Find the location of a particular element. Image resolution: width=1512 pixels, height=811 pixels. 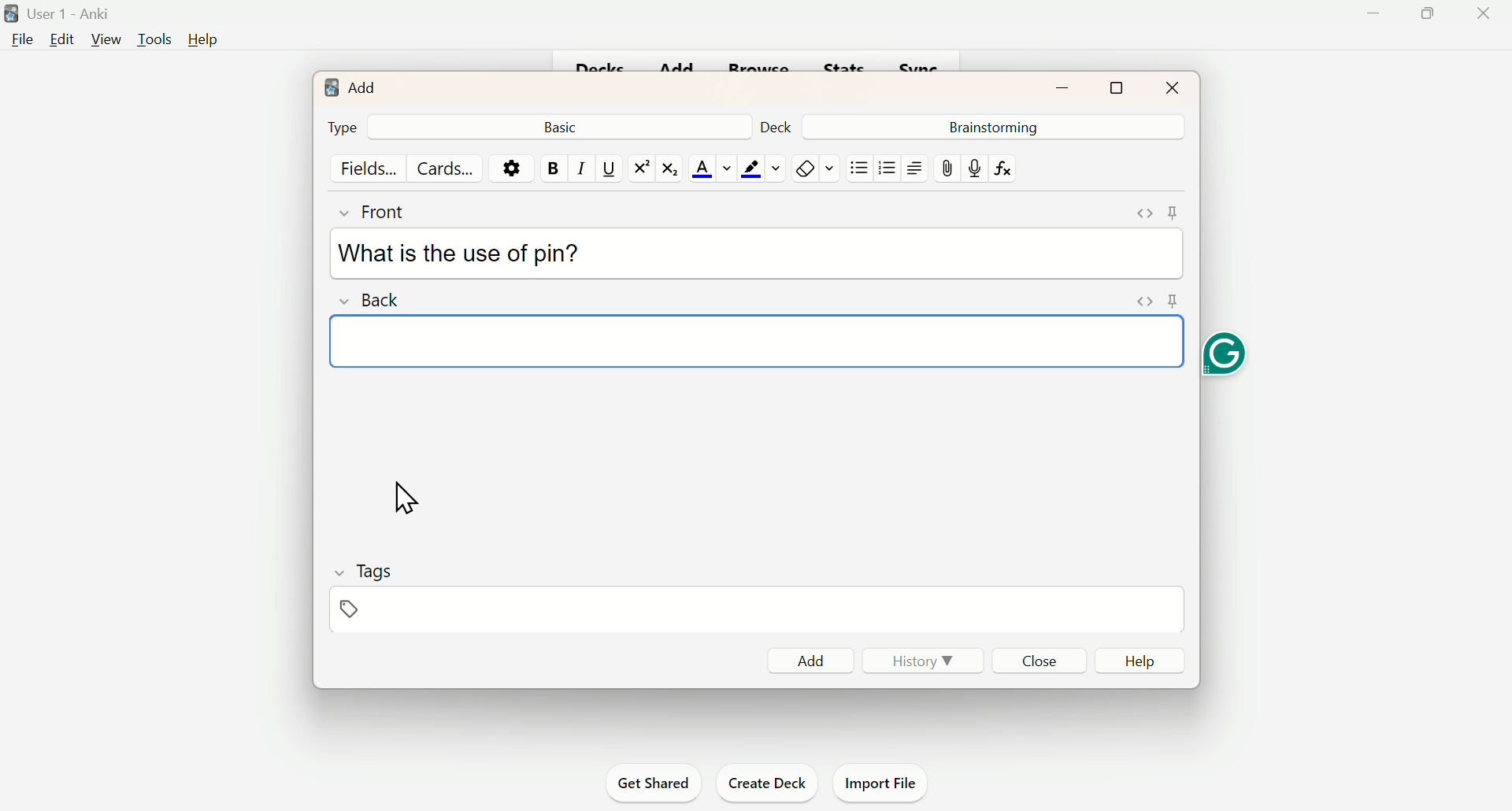

Text Alignment is located at coordinates (913, 168).